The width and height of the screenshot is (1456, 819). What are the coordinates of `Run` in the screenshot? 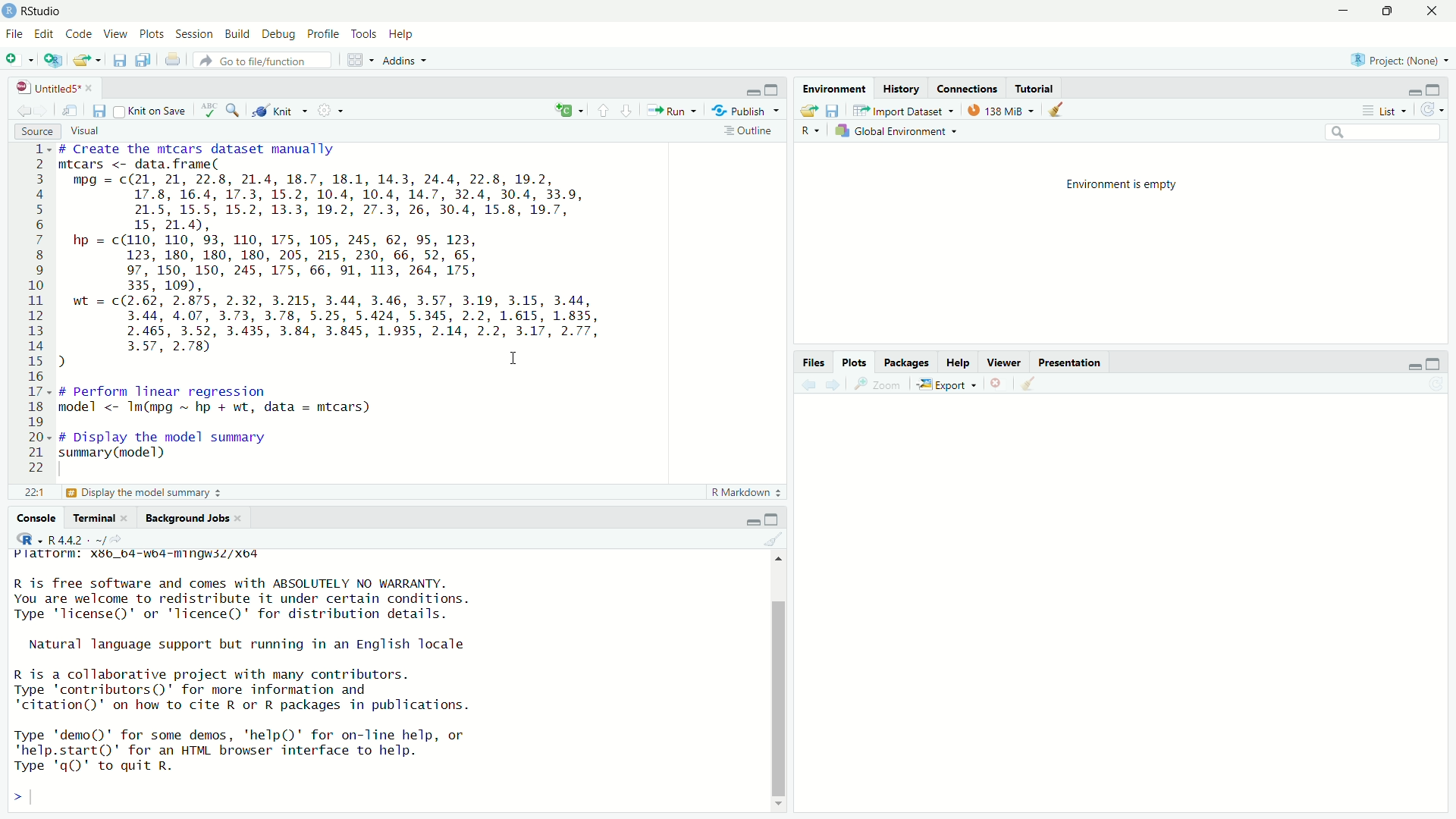 It's located at (670, 109).